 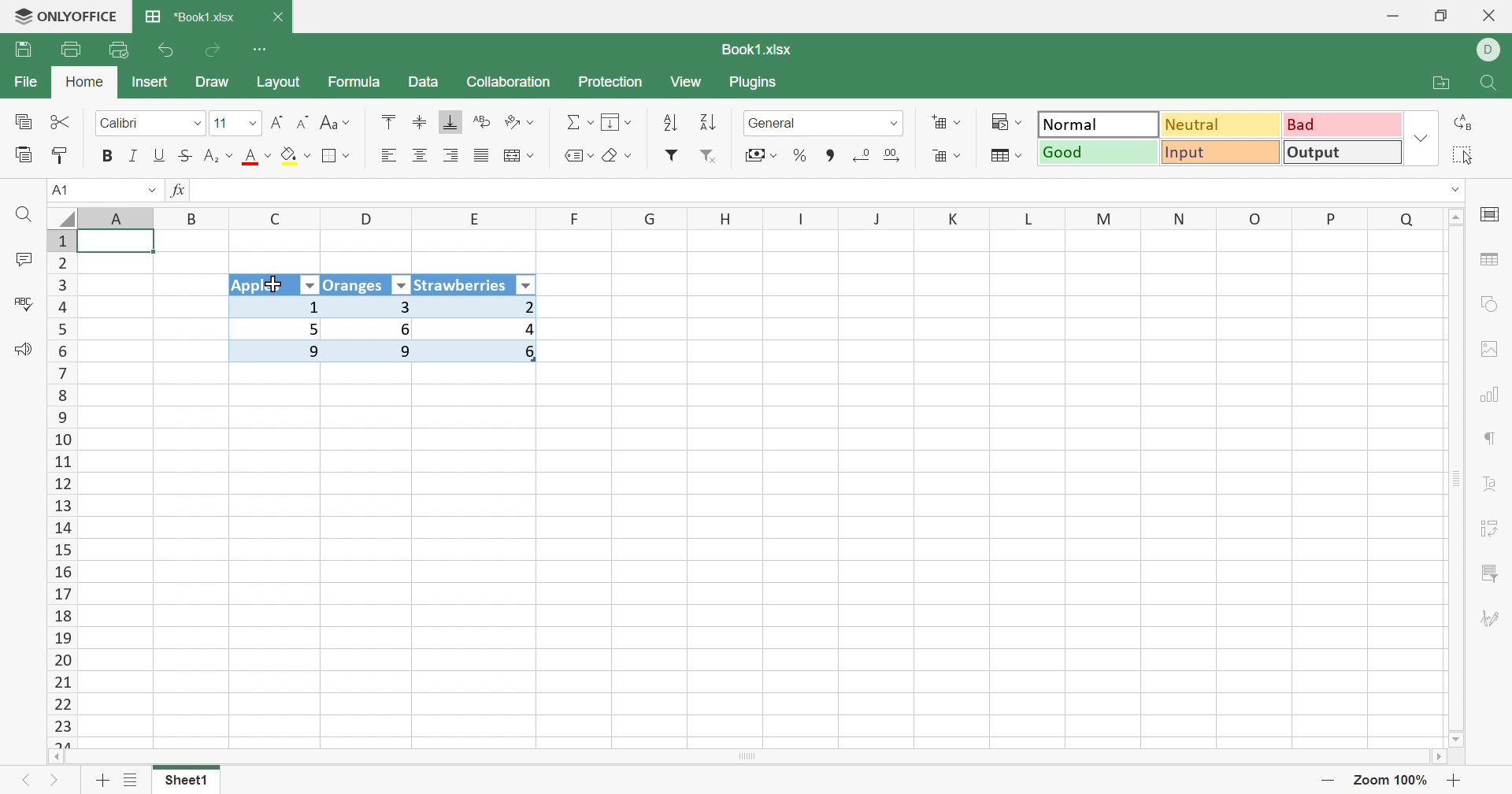 I want to click on Copy style, so click(x=62, y=154).